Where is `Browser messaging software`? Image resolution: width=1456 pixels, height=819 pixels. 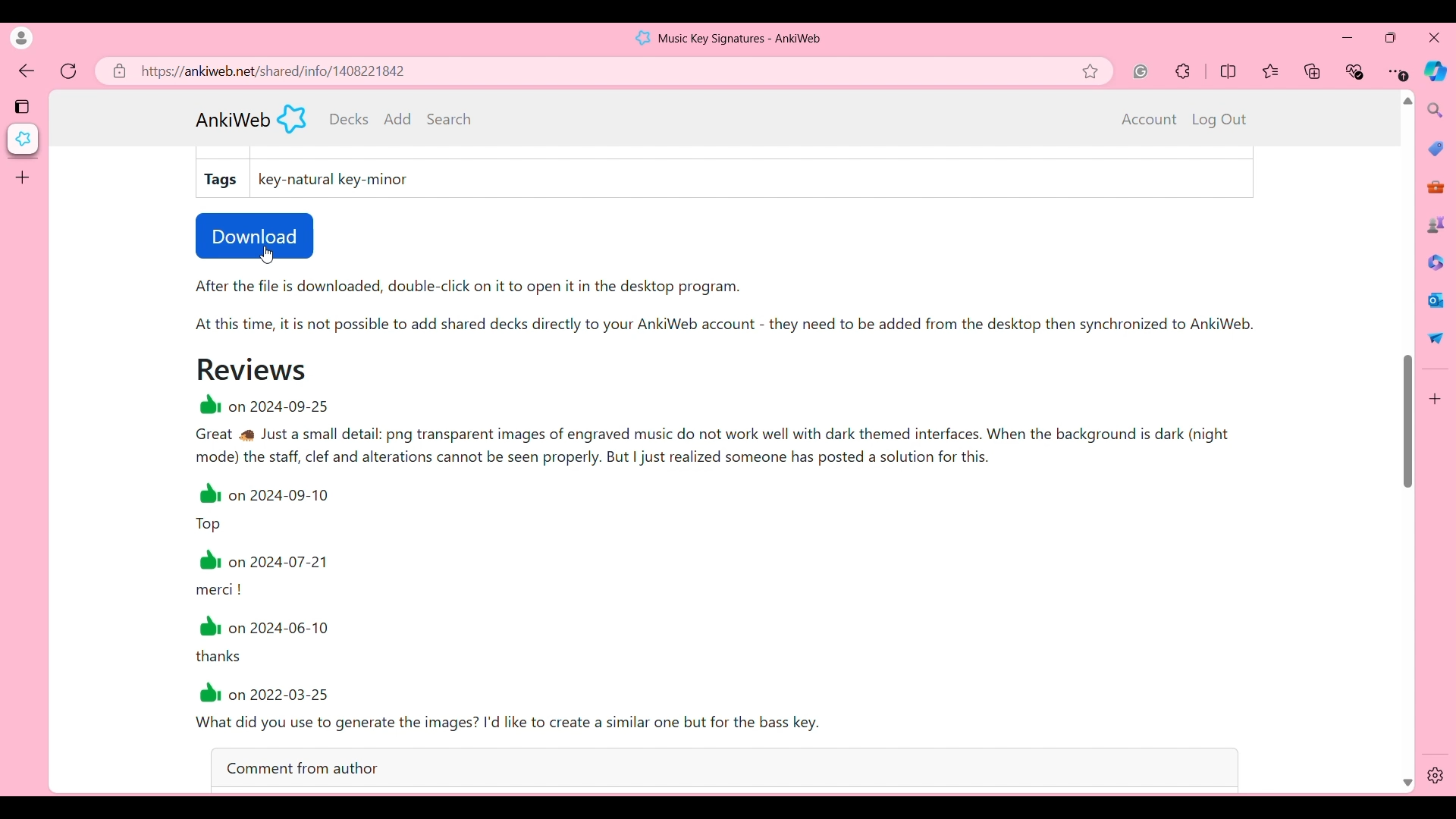
Browser messaging software is located at coordinates (1436, 300).